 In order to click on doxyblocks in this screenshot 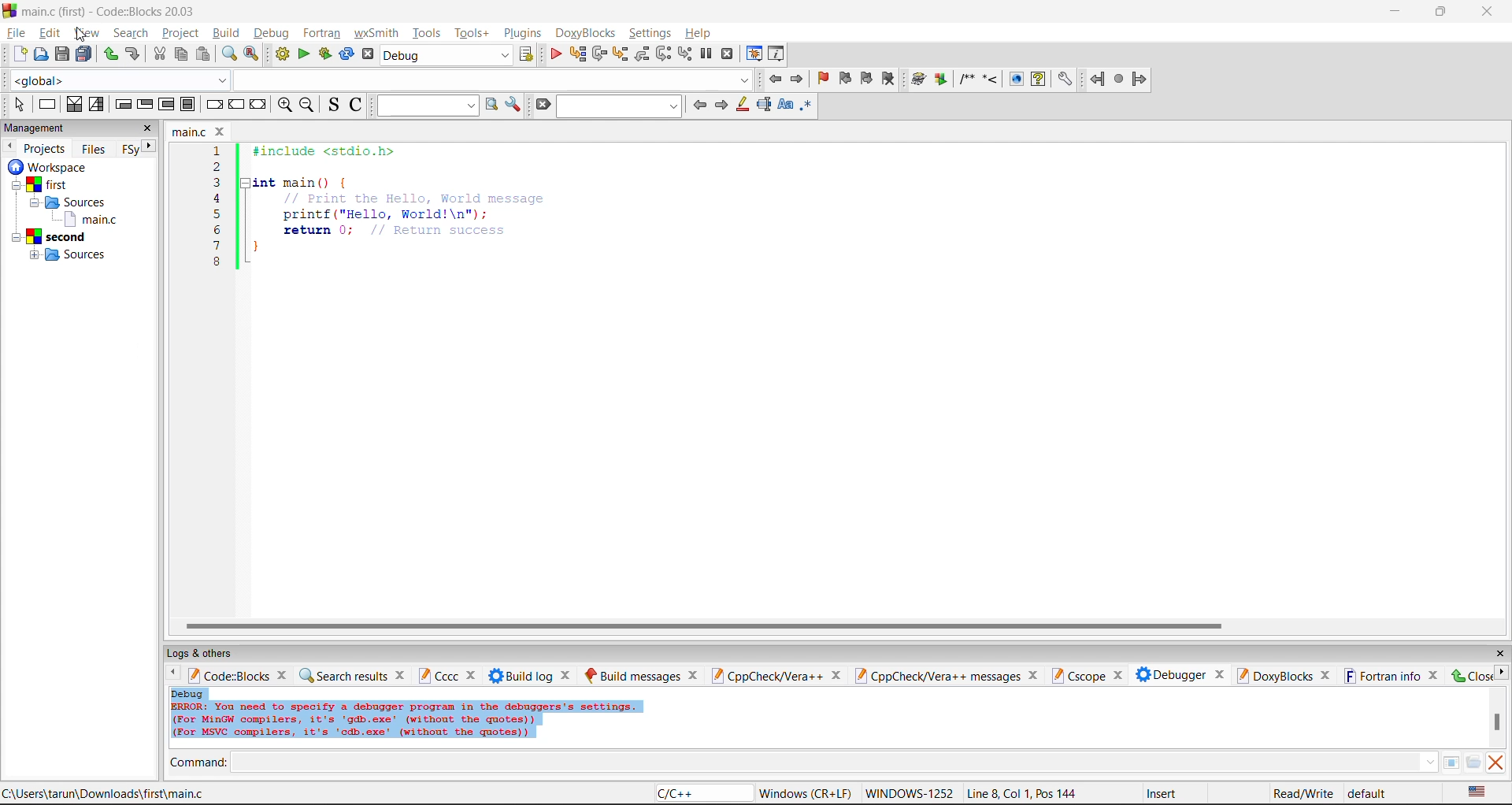, I will do `click(587, 32)`.